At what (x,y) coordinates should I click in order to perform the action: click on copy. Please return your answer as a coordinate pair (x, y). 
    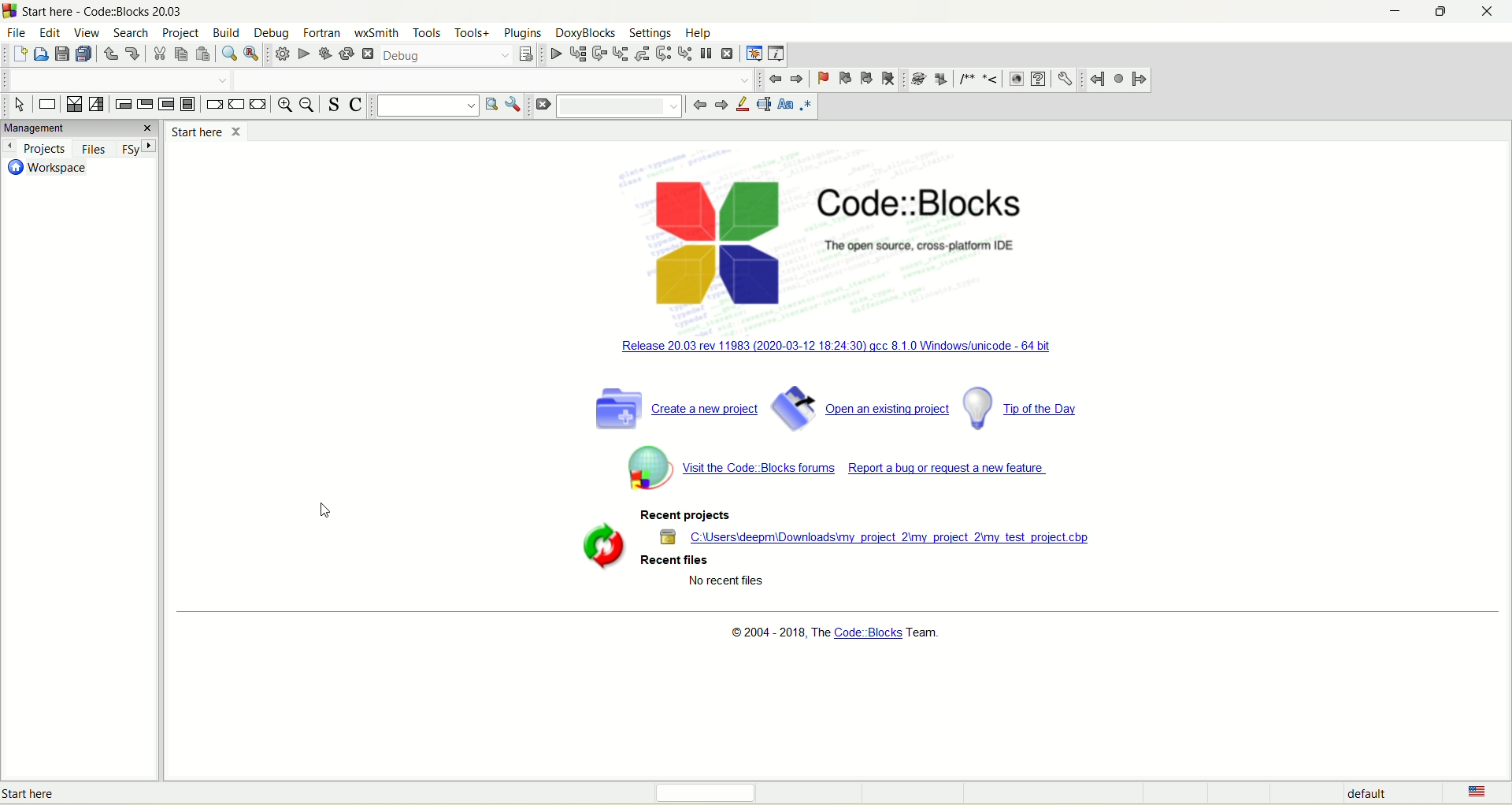
    Looking at the image, I should click on (183, 54).